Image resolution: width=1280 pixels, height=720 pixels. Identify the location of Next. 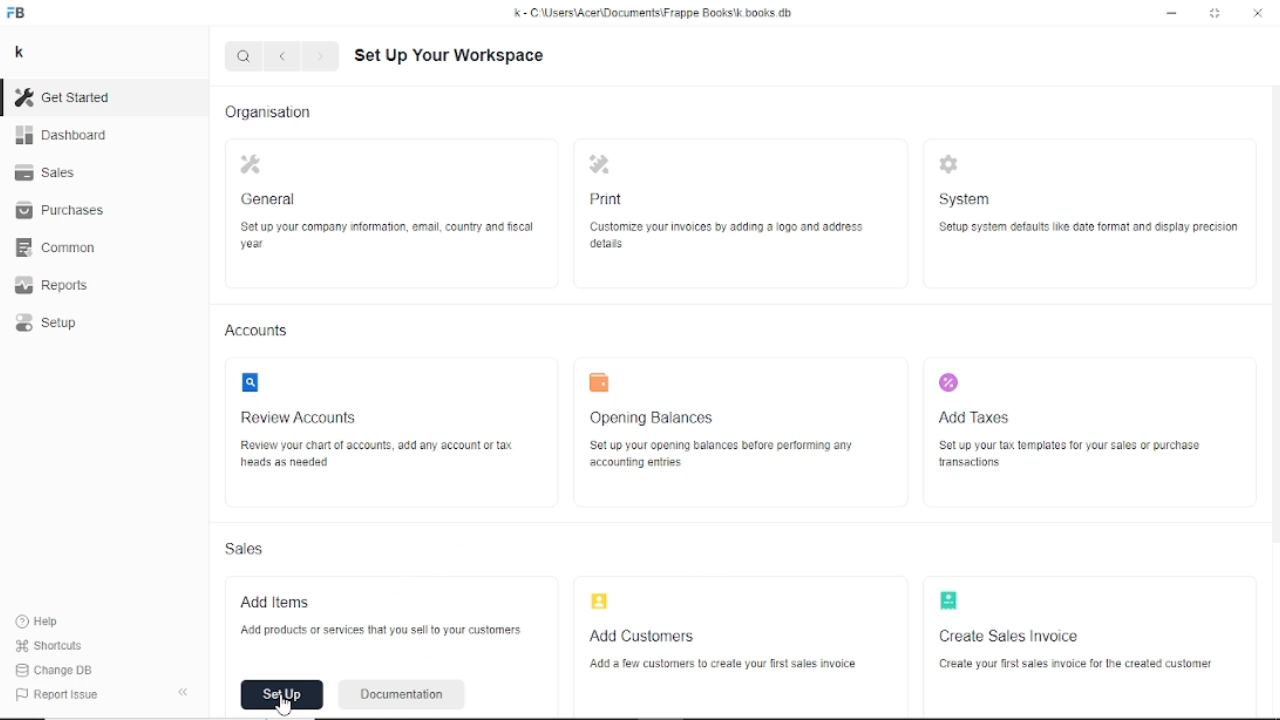
(322, 57).